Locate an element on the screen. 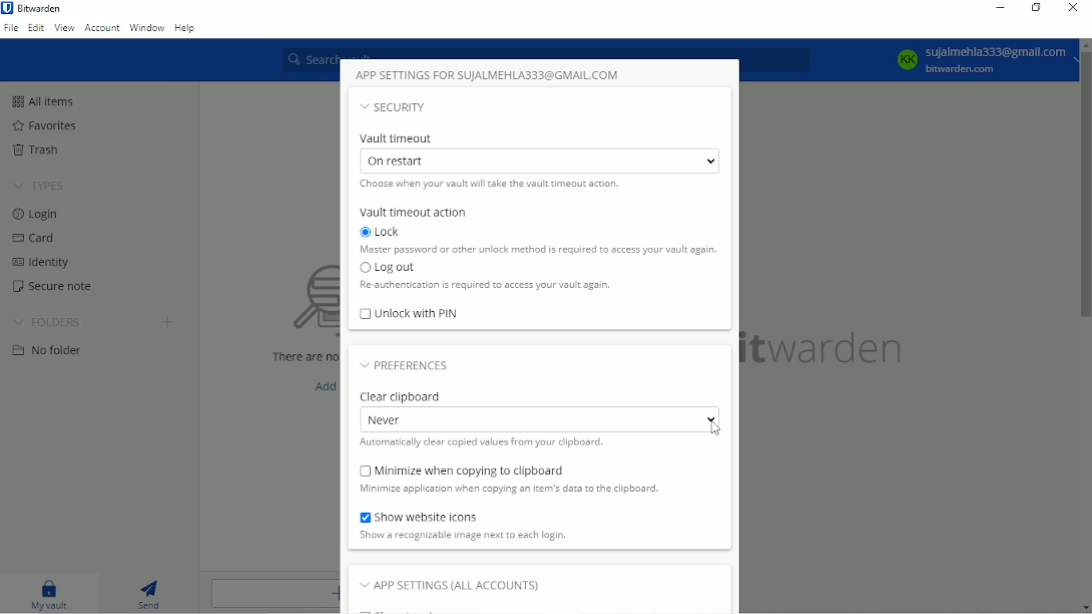 This screenshot has width=1092, height=614. Show website icons is located at coordinates (419, 517).